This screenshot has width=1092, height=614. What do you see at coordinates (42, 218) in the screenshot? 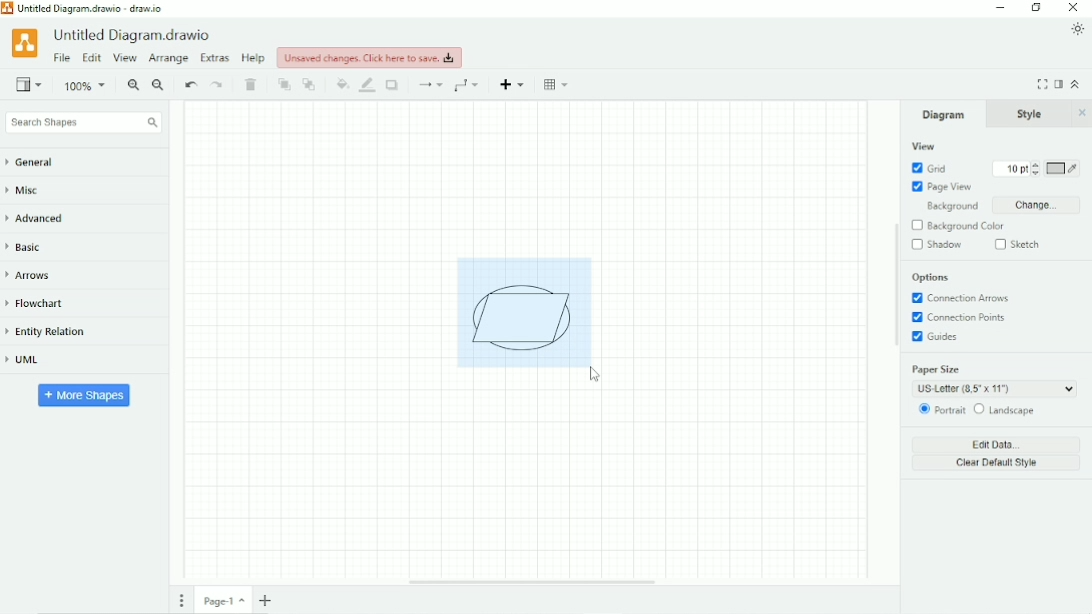
I see `Advanced` at bounding box center [42, 218].